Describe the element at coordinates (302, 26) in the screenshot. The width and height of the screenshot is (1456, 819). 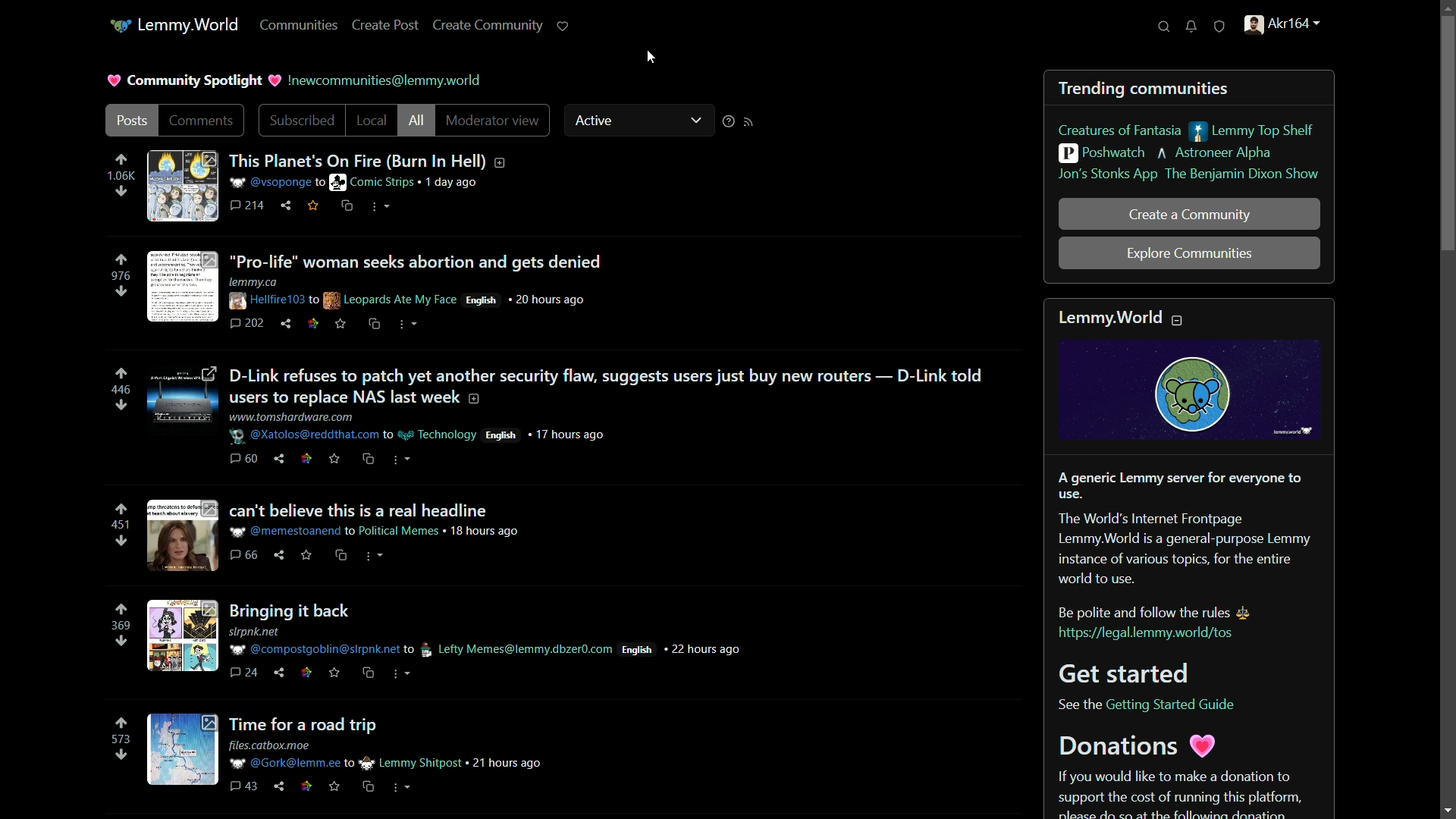
I see `communities` at that location.